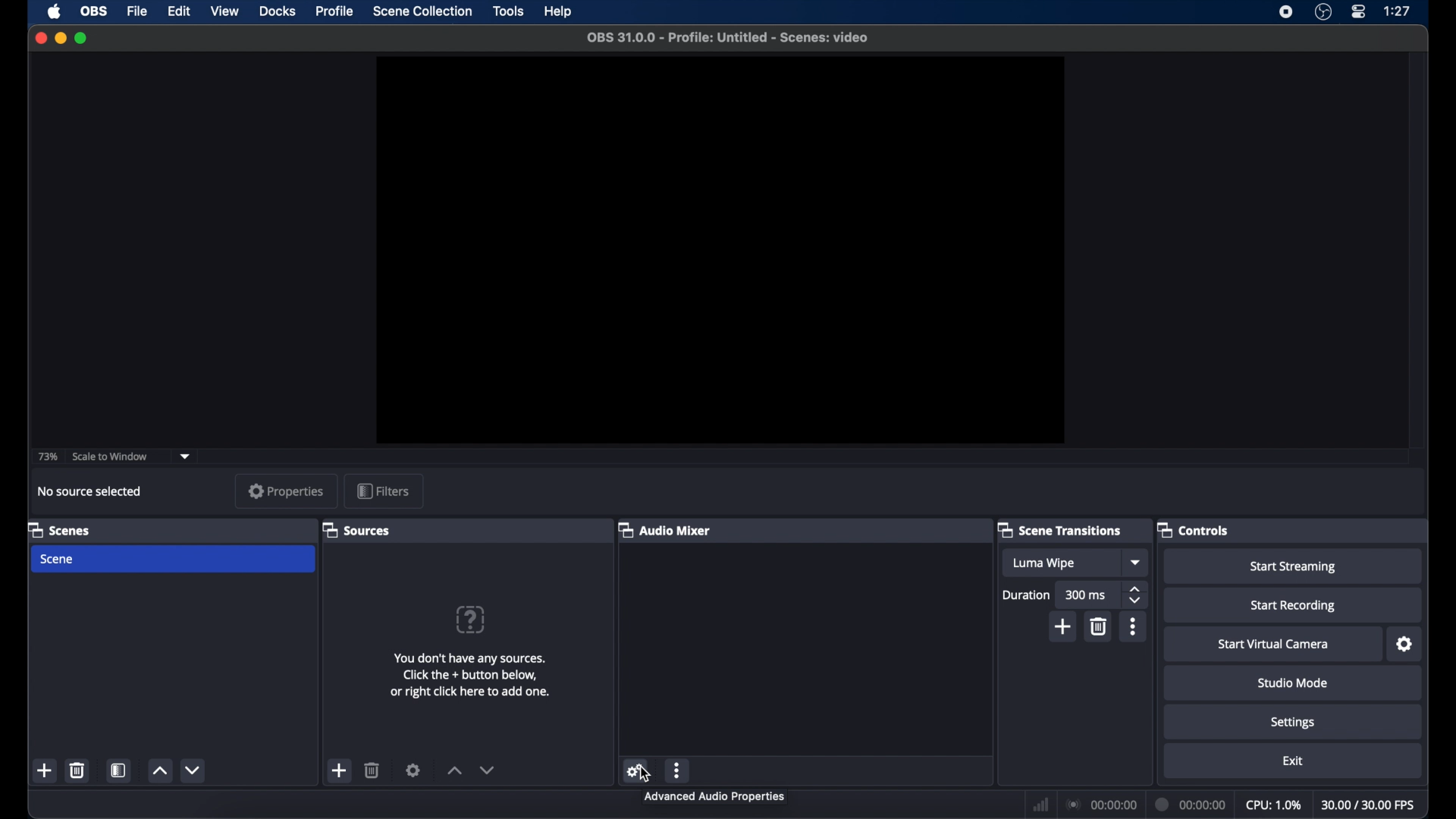 This screenshot has height=819, width=1456. Describe the element at coordinates (358, 530) in the screenshot. I see `sources` at that location.